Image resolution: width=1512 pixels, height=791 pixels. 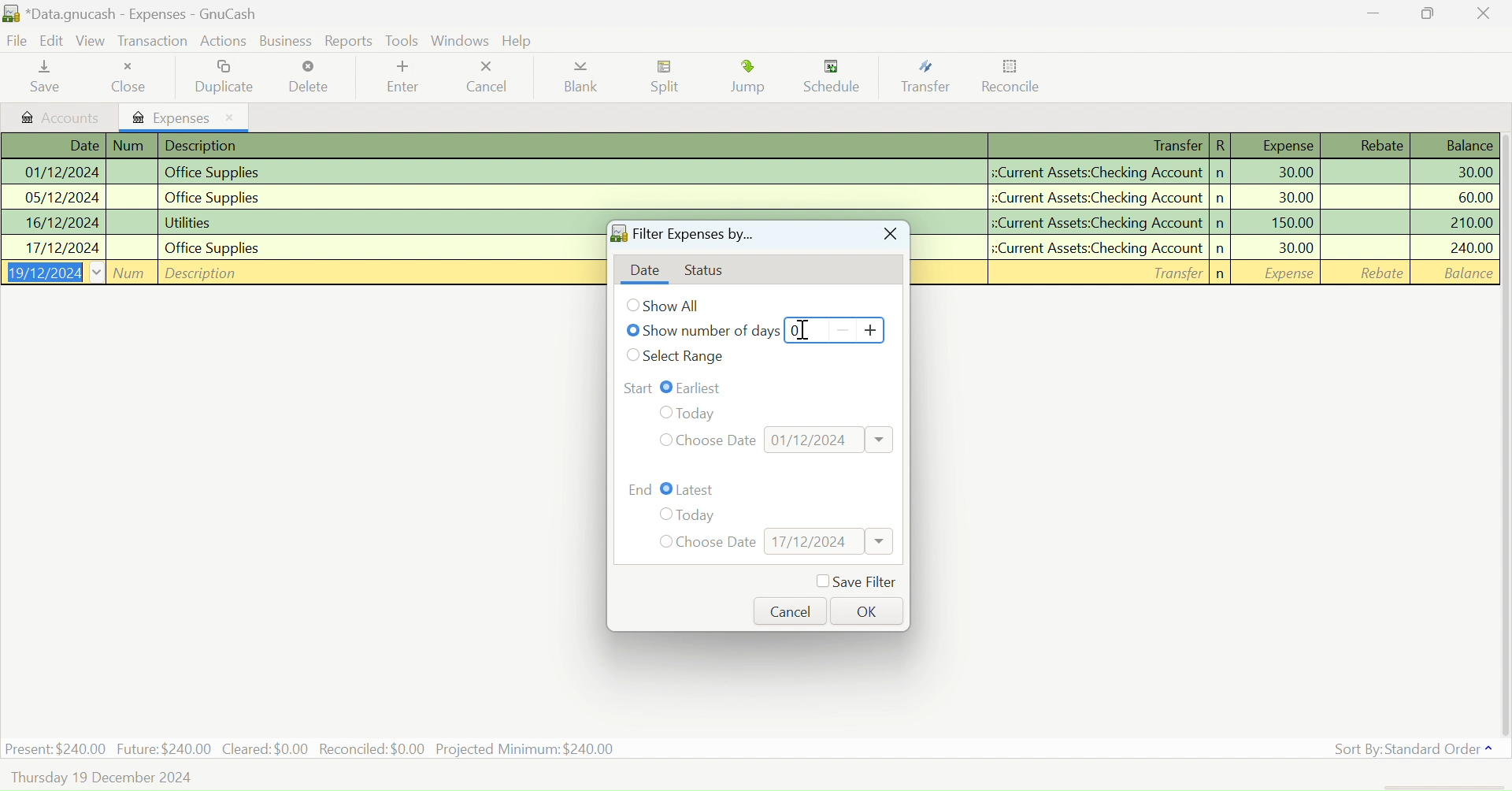 What do you see at coordinates (1503, 433) in the screenshot?
I see `vertical scroll bar` at bounding box center [1503, 433].